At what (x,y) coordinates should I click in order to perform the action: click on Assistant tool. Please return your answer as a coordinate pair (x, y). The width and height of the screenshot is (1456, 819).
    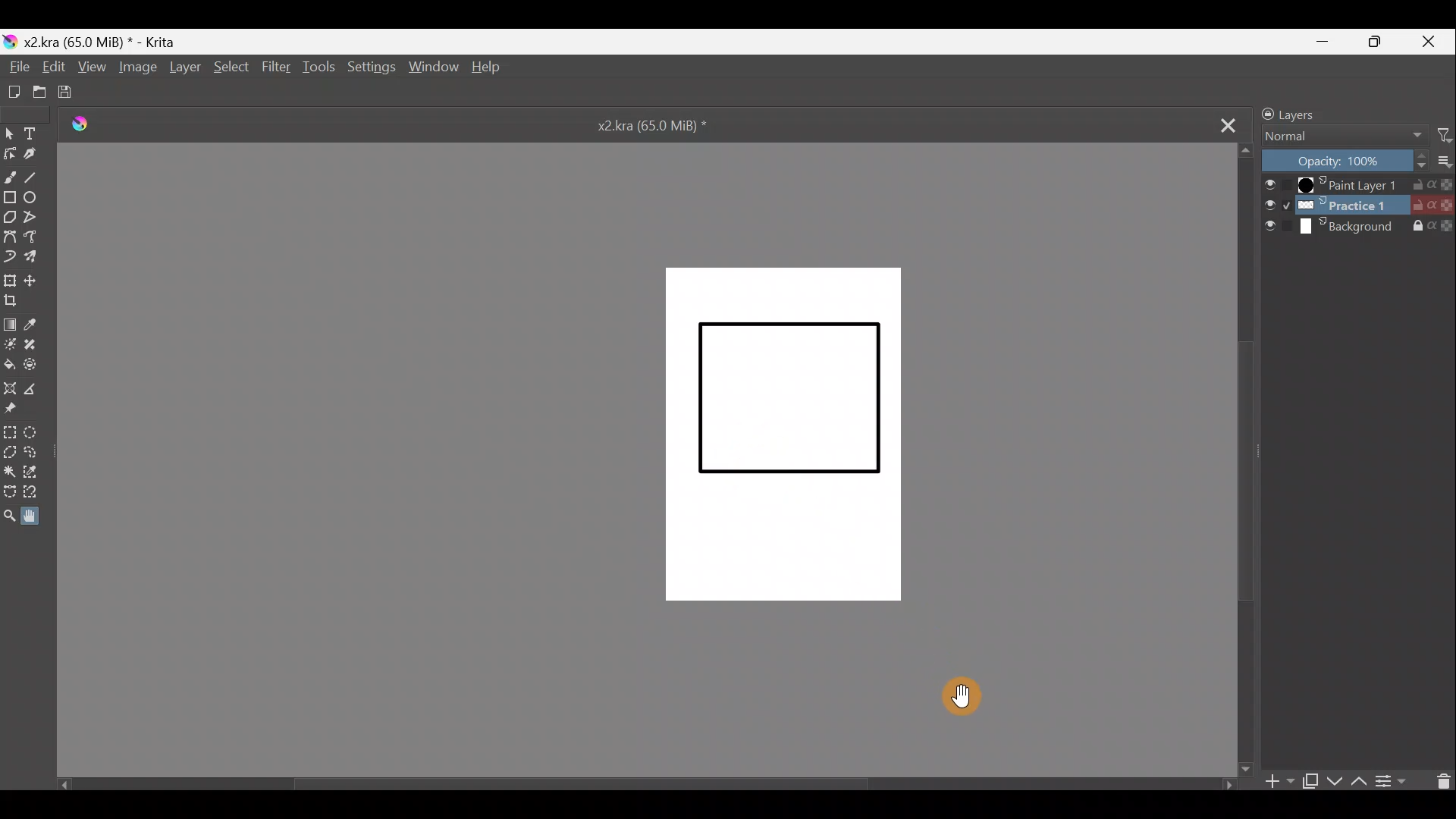
    Looking at the image, I should click on (10, 387).